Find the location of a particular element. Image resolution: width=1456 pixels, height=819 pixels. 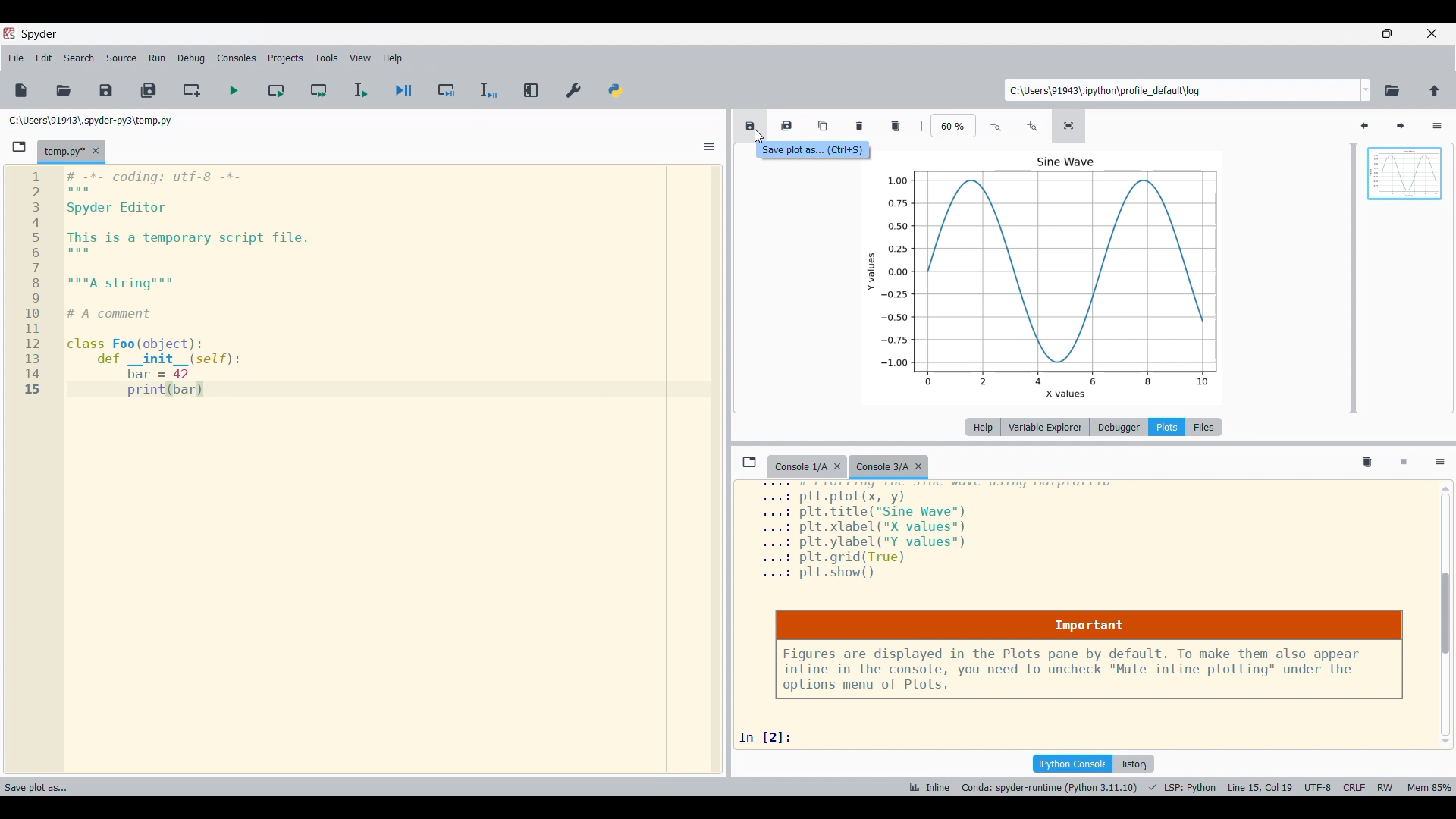

Edit menu is located at coordinates (45, 58).